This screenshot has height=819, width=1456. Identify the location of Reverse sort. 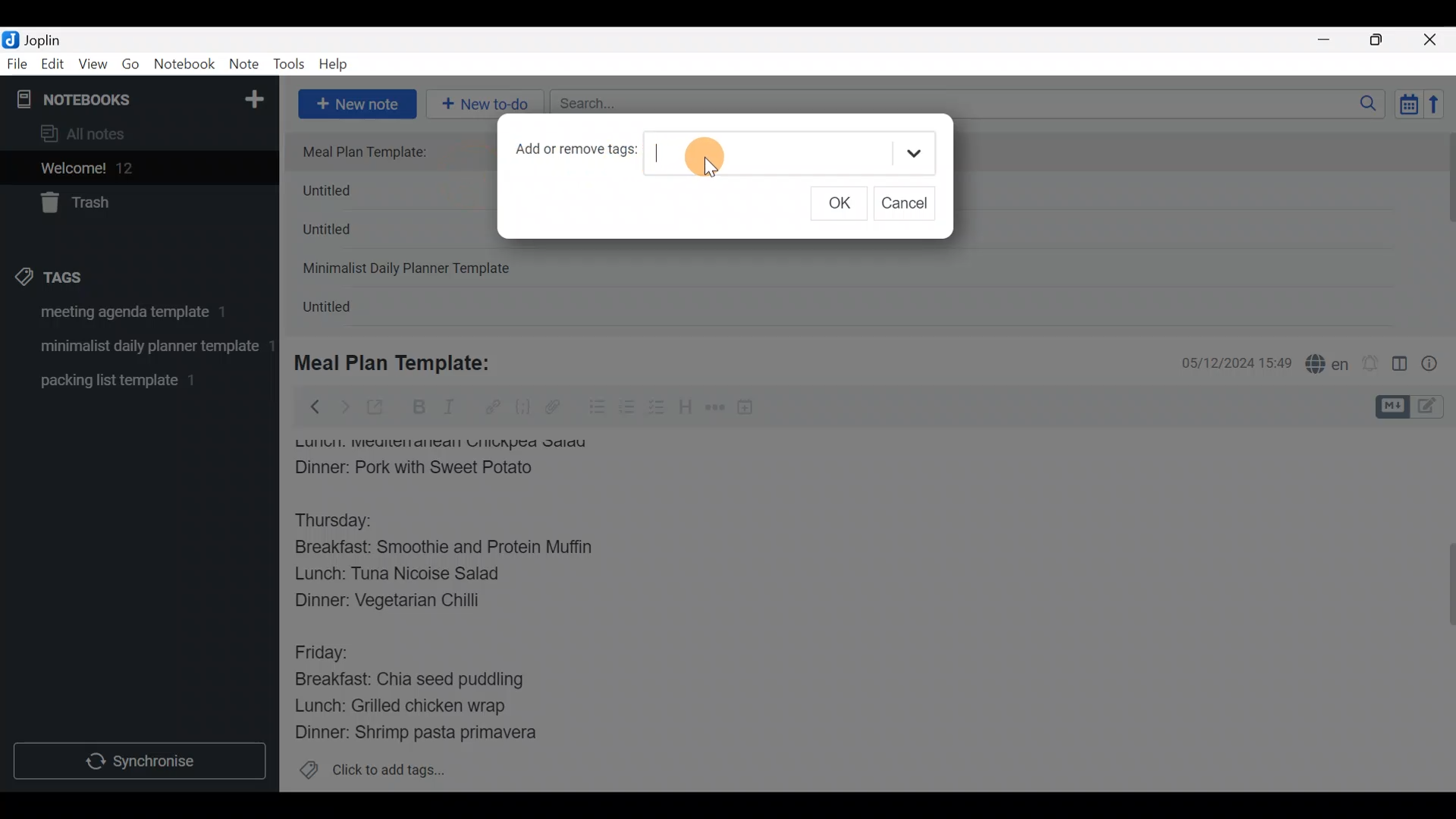
(1442, 108).